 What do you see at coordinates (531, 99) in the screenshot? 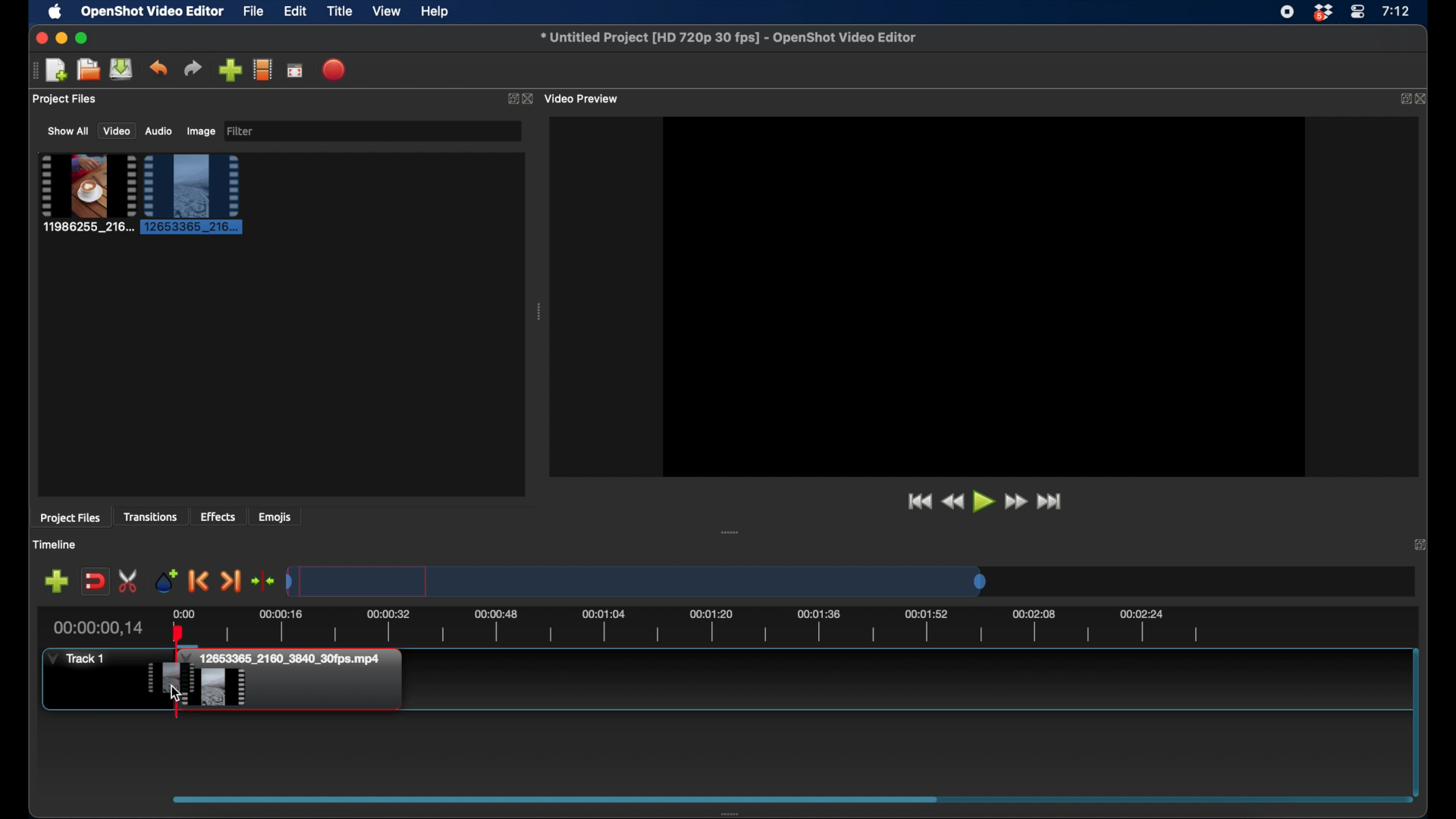
I see `close` at bounding box center [531, 99].